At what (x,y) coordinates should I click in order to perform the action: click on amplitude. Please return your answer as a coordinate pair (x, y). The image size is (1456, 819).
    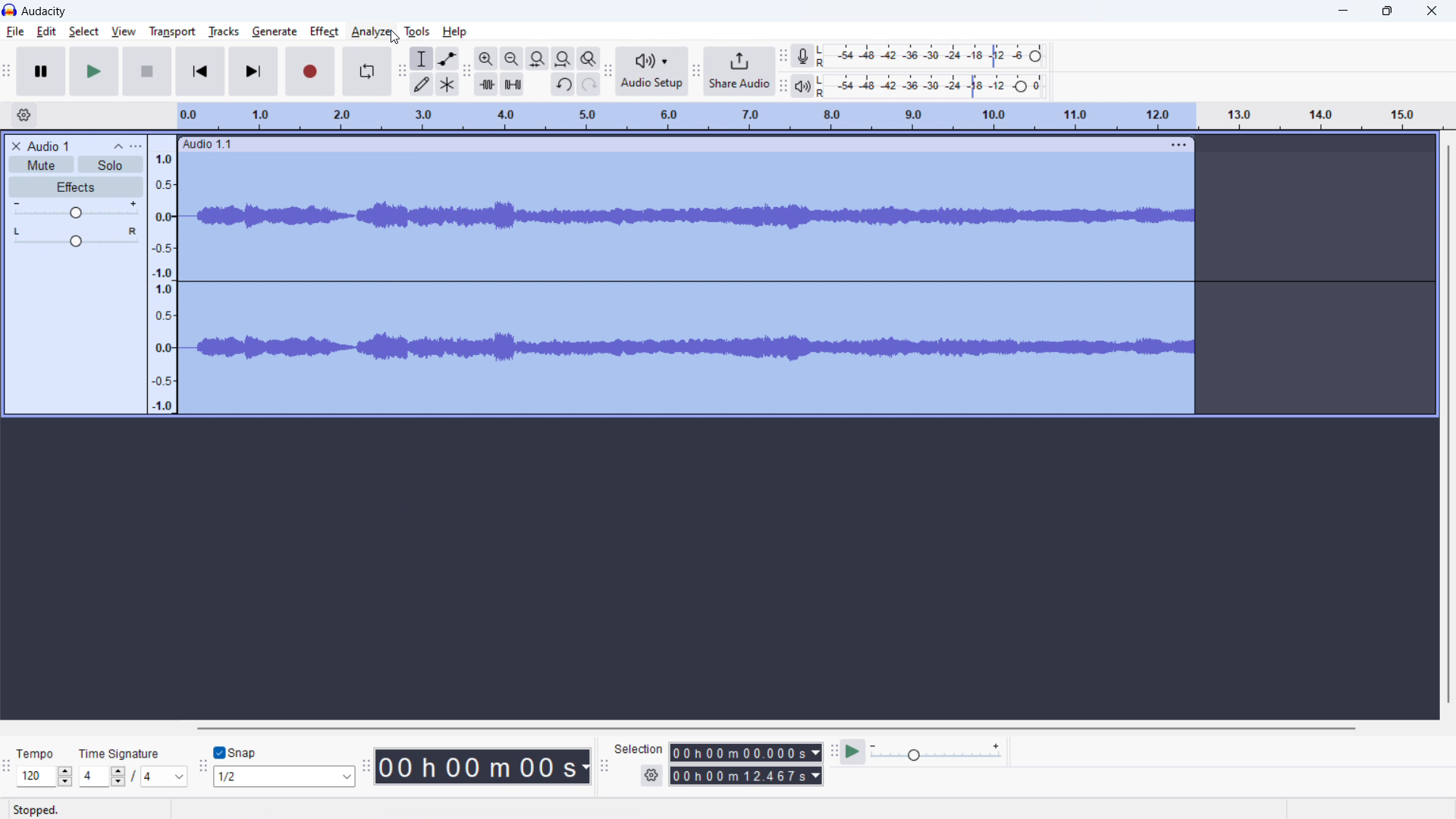
    Looking at the image, I should click on (160, 275).